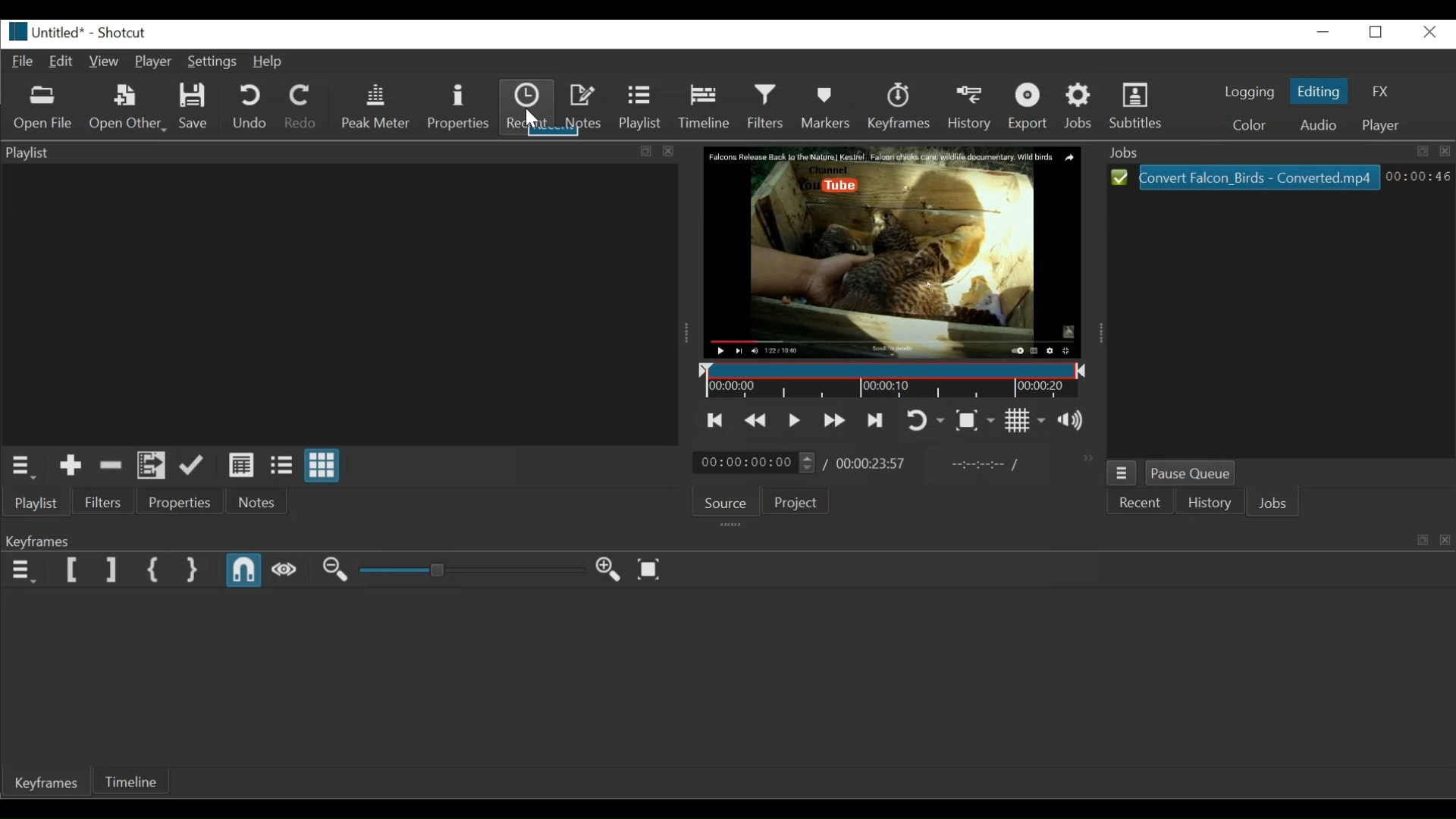  Describe the element at coordinates (111, 464) in the screenshot. I see `Remove cut` at that location.